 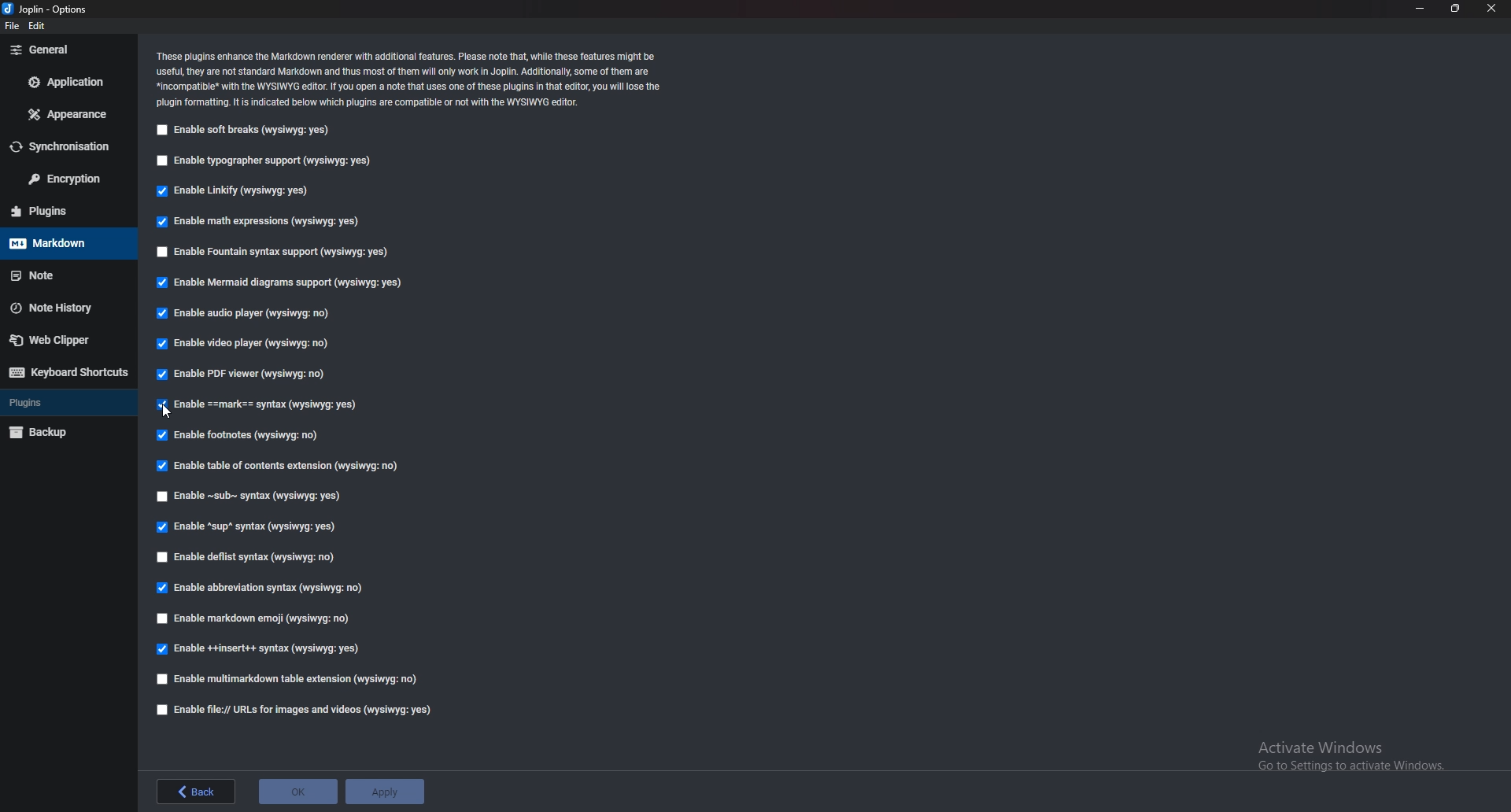 What do you see at coordinates (282, 406) in the screenshot?
I see `enable Mark Syntax` at bounding box center [282, 406].